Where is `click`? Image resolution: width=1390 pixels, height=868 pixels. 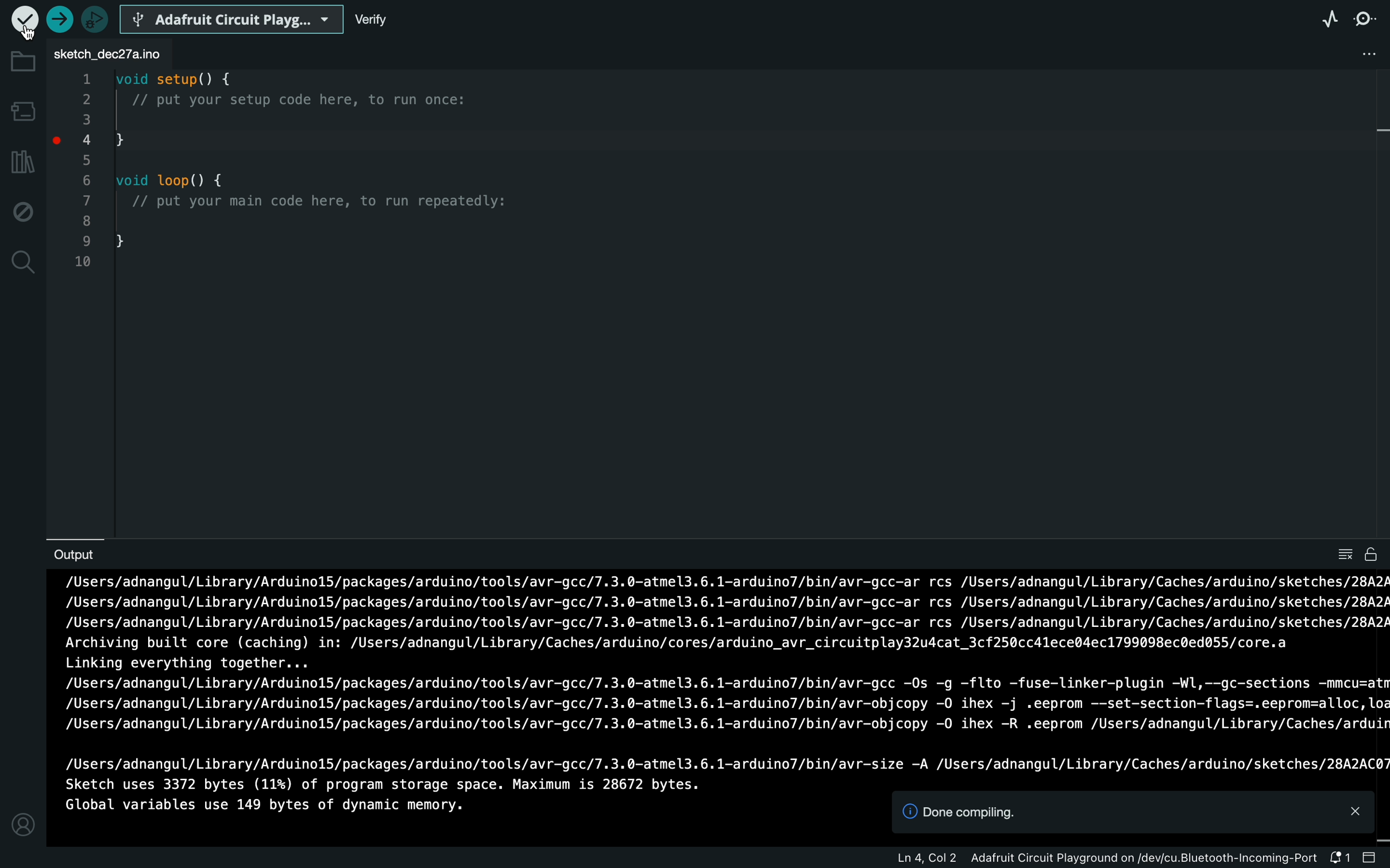
click is located at coordinates (61, 146).